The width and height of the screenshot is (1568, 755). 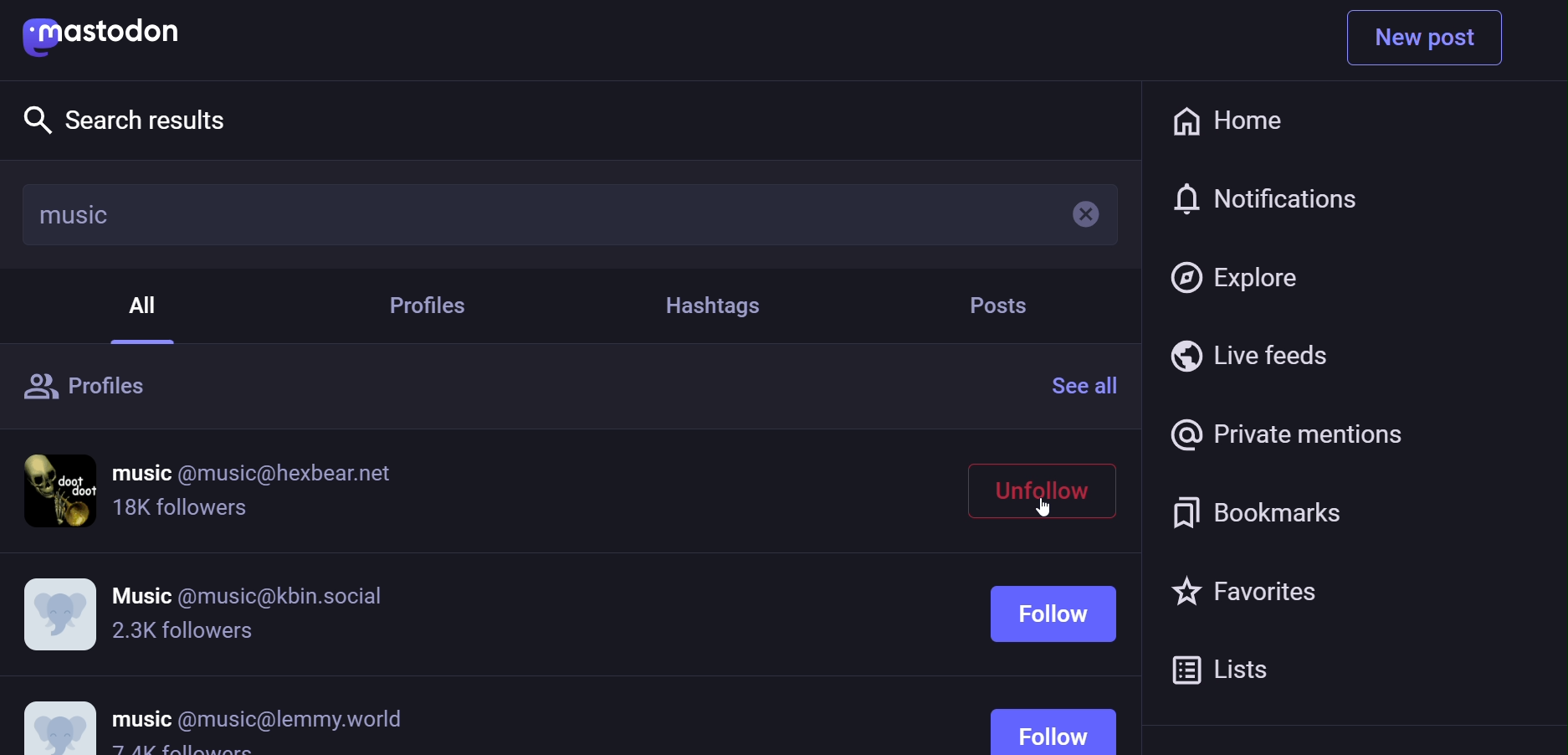 What do you see at coordinates (1091, 385) in the screenshot?
I see `see all` at bounding box center [1091, 385].